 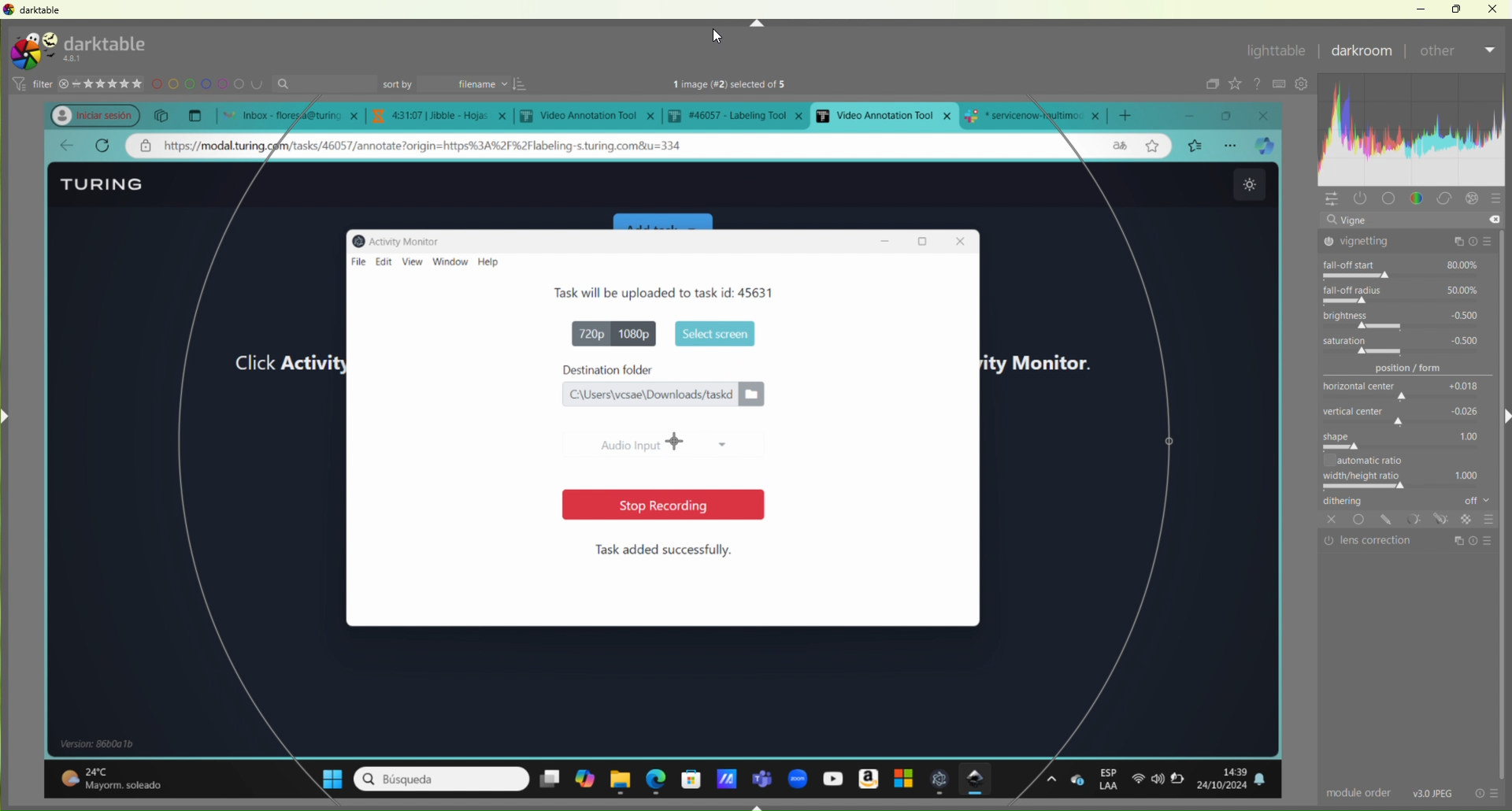 What do you see at coordinates (756, 23) in the screenshot?
I see `Up` at bounding box center [756, 23].